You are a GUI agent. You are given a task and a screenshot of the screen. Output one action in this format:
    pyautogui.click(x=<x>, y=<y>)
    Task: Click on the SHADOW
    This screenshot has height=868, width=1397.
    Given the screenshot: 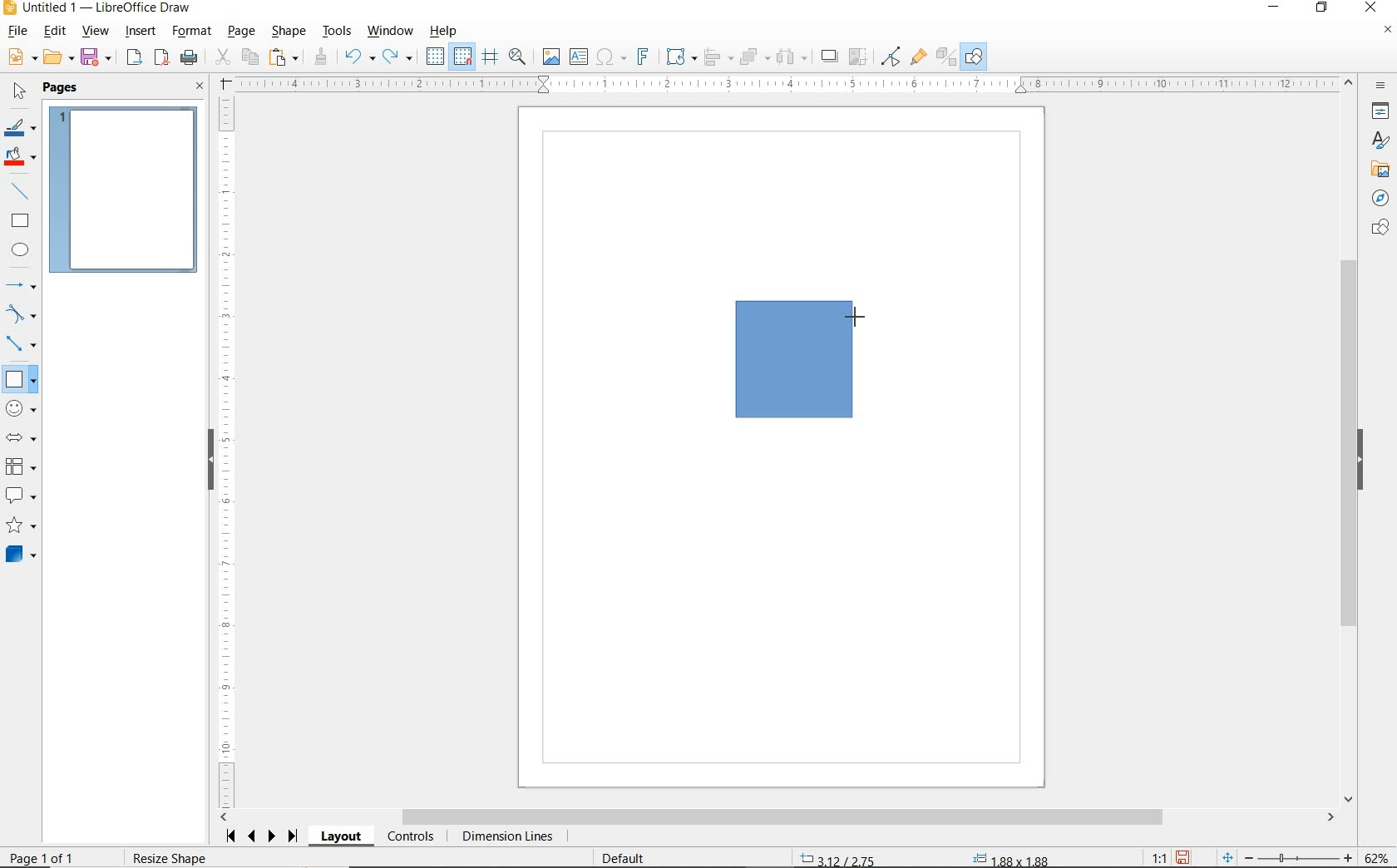 What is the action you would take?
    pyautogui.click(x=830, y=57)
    